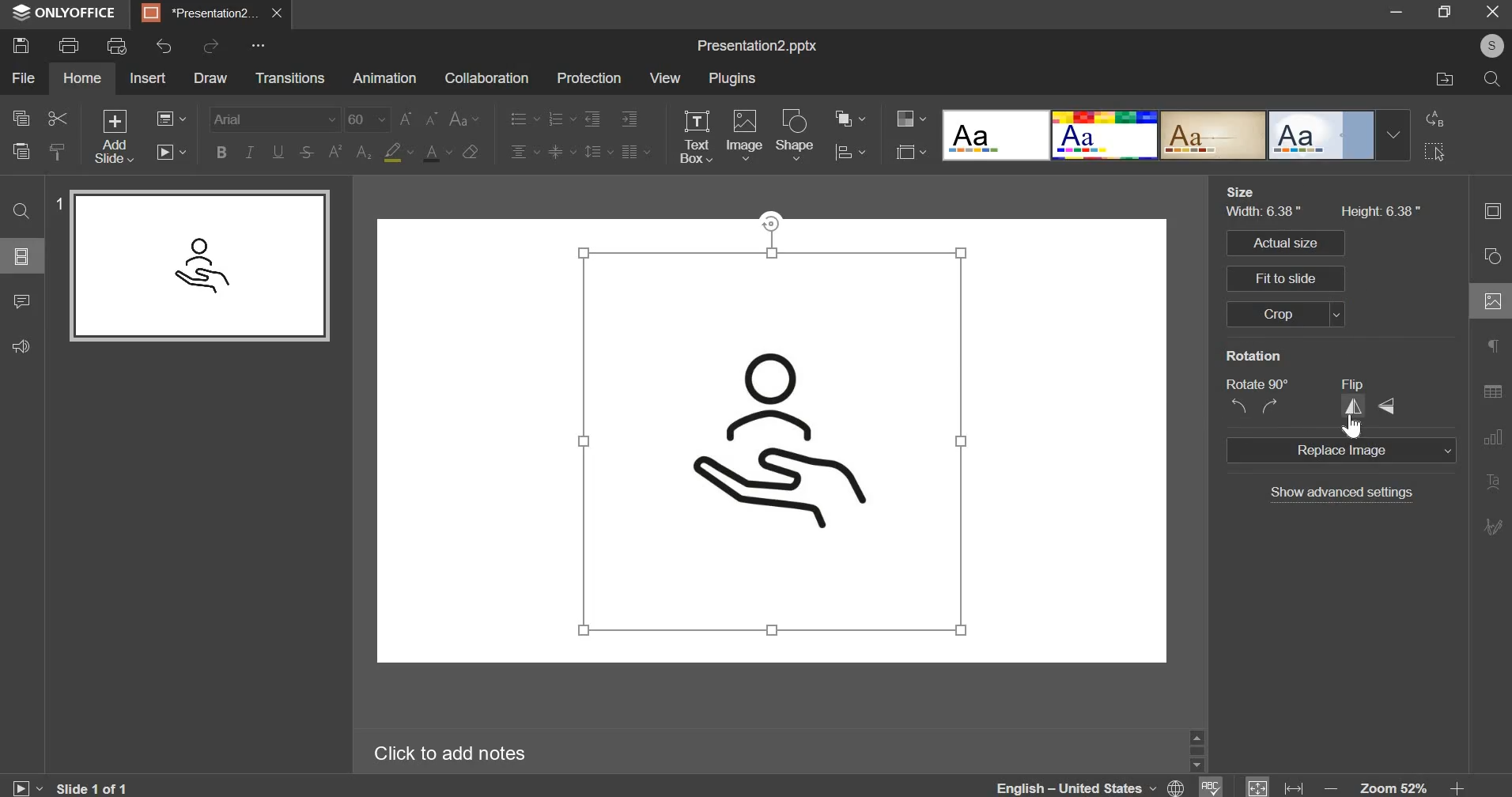 This screenshot has height=797, width=1512. I want to click on flip, so click(1376, 396).